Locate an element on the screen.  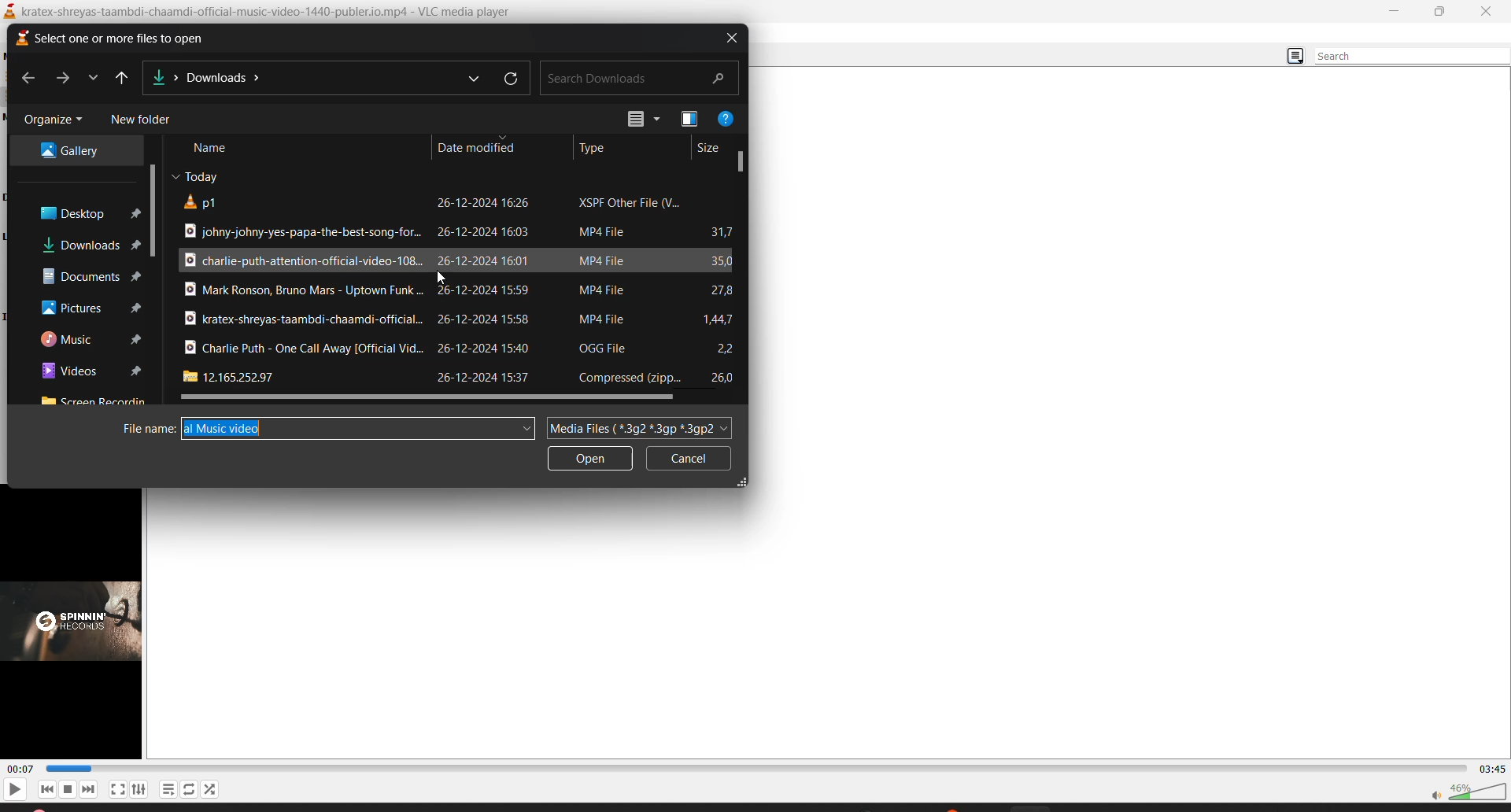
next is located at coordinates (89, 788).